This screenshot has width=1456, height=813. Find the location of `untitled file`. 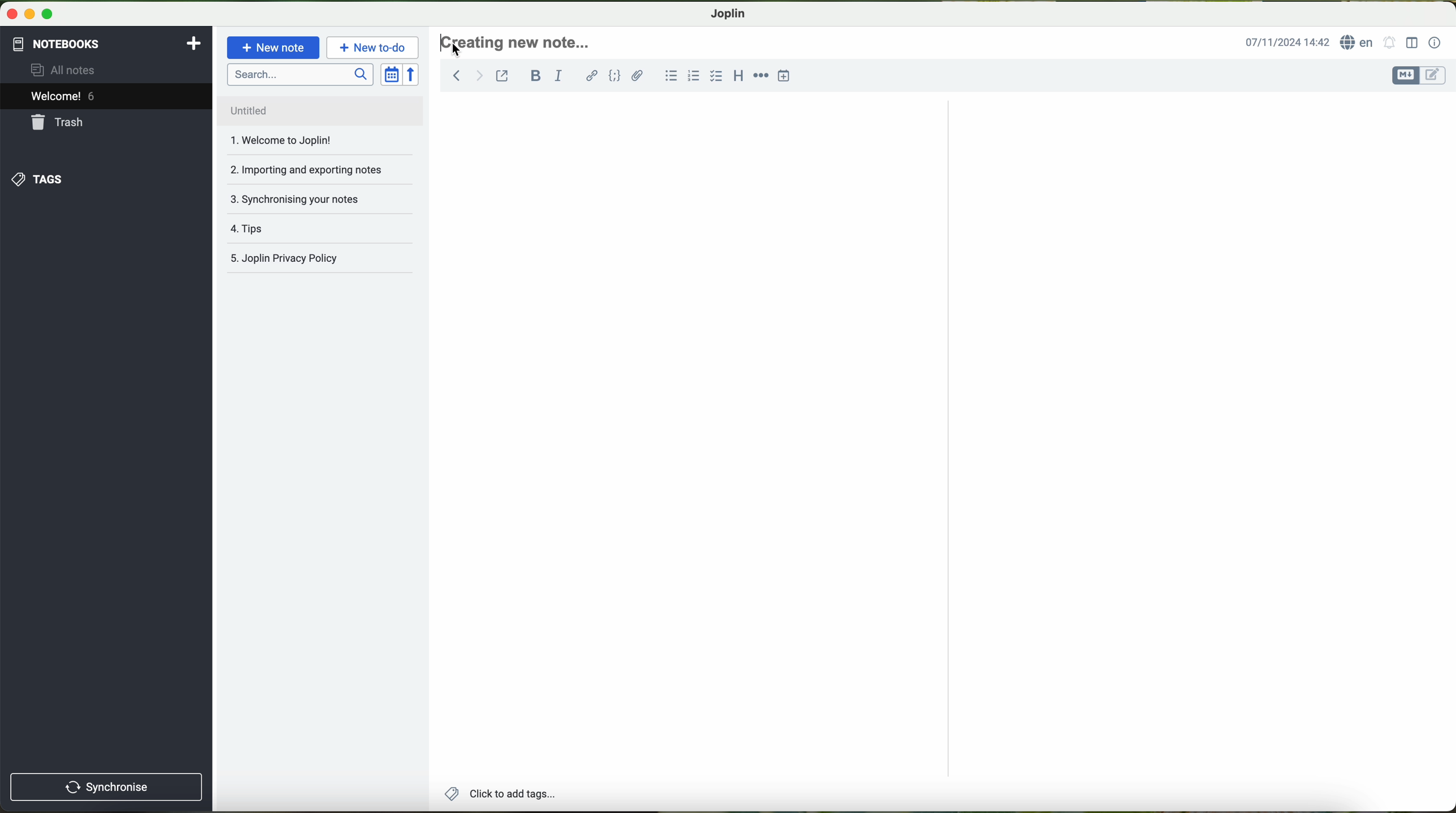

untitled file is located at coordinates (315, 109).